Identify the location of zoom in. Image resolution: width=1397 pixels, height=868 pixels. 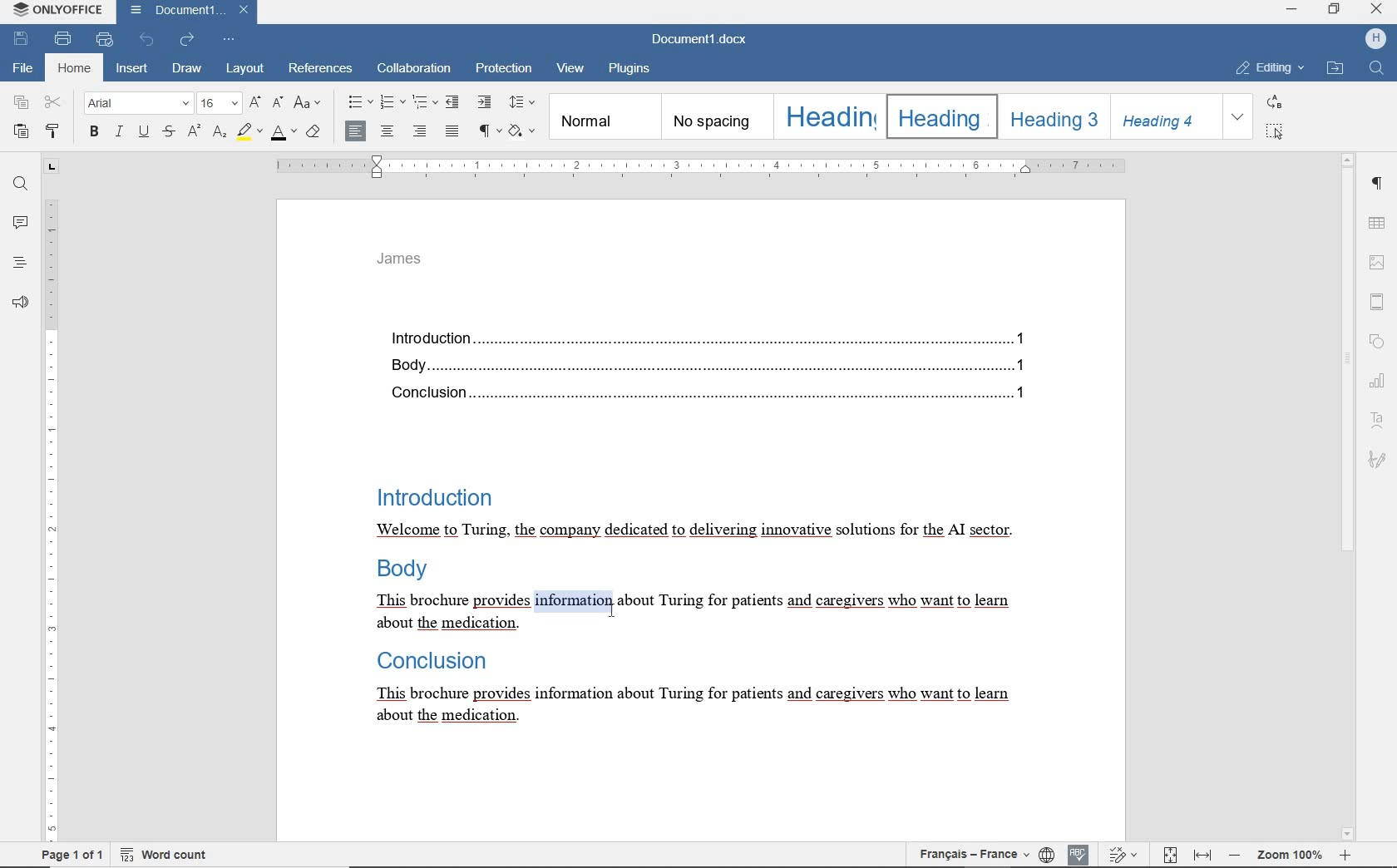
(1345, 855).